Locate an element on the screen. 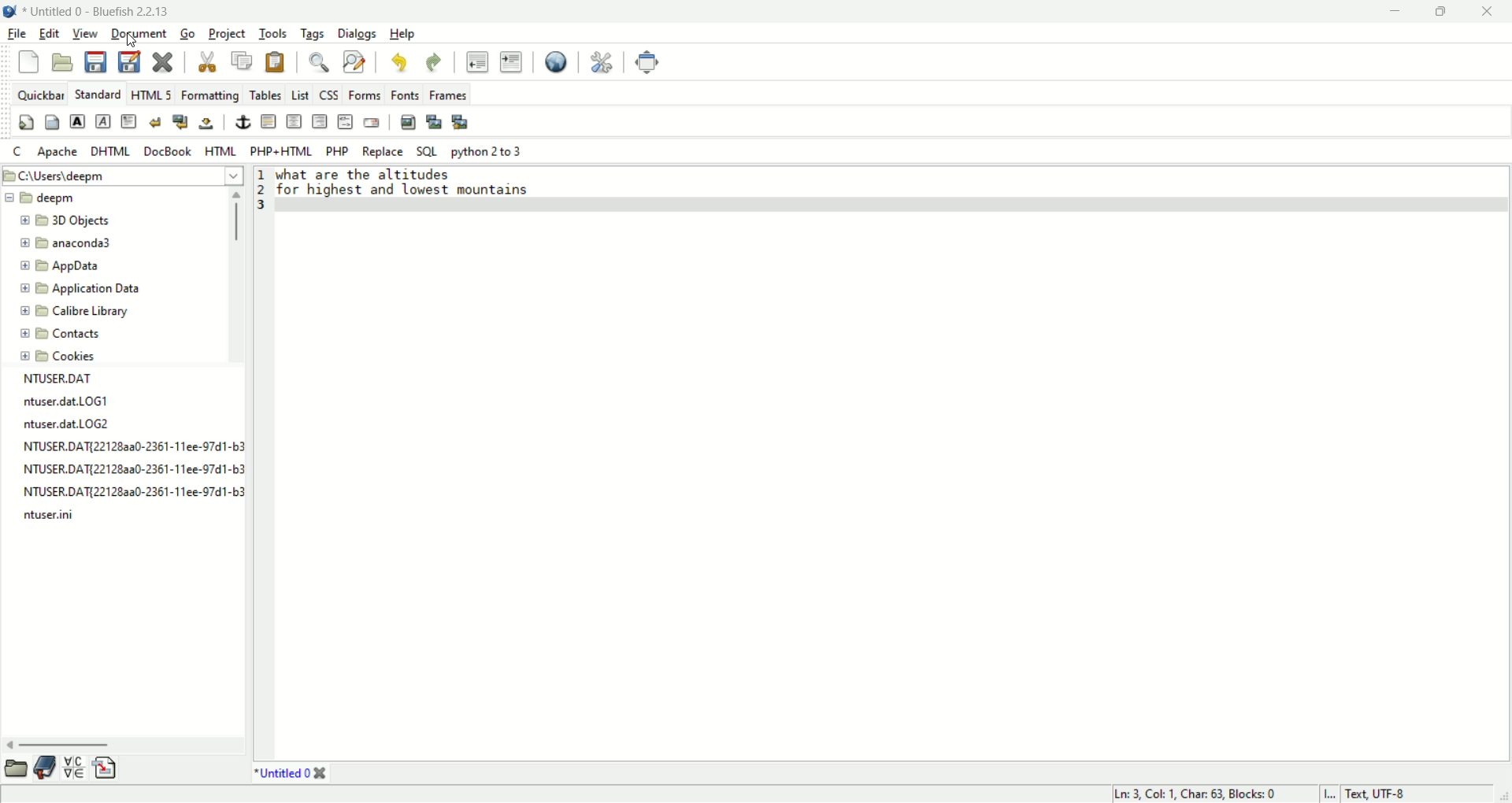 The image size is (1512, 803). DHTML is located at coordinates (109, 152).